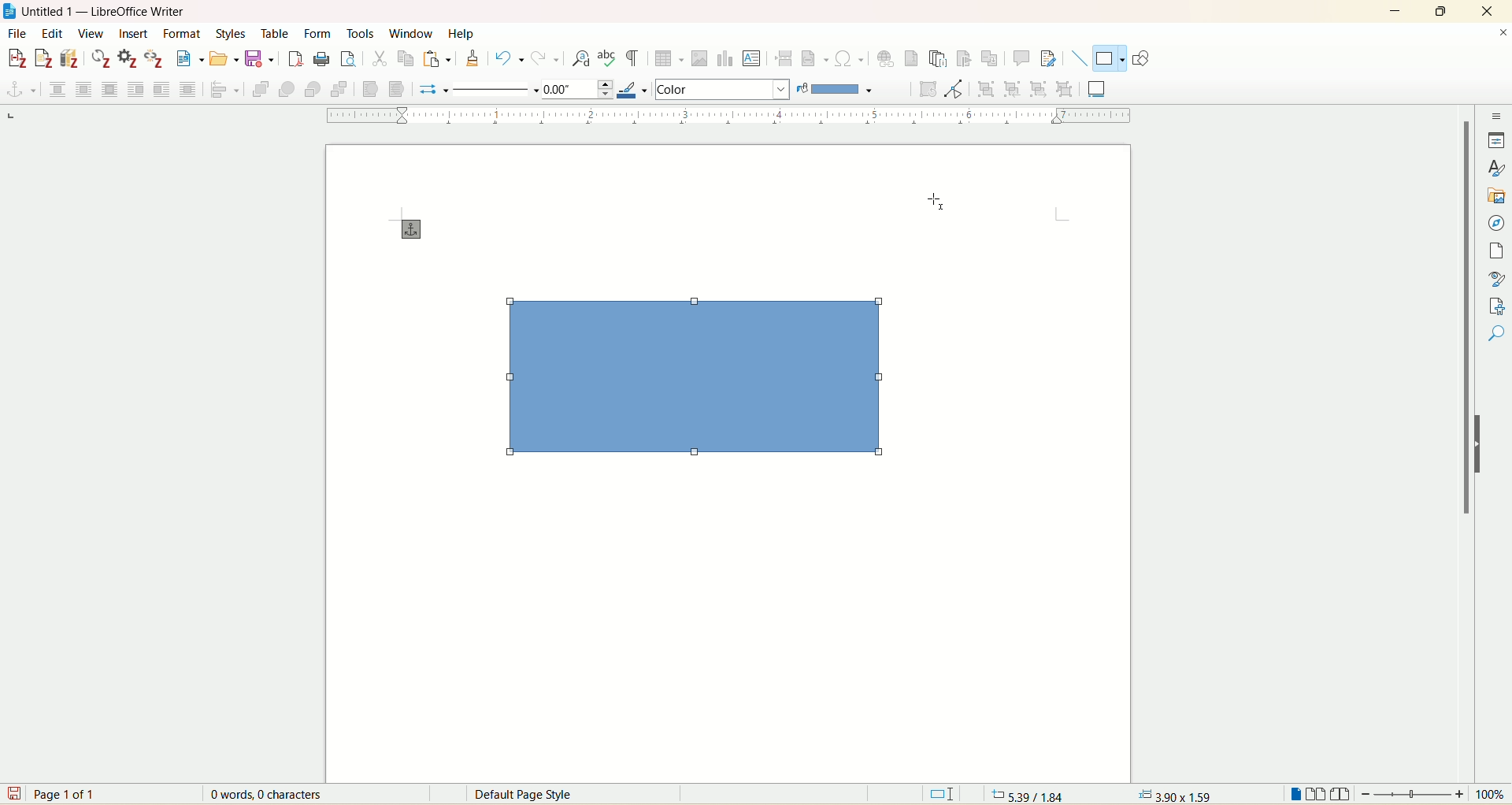 This screenshot has width=1512, height=805. I want to click on sidebar settings, so click(1497, 114).